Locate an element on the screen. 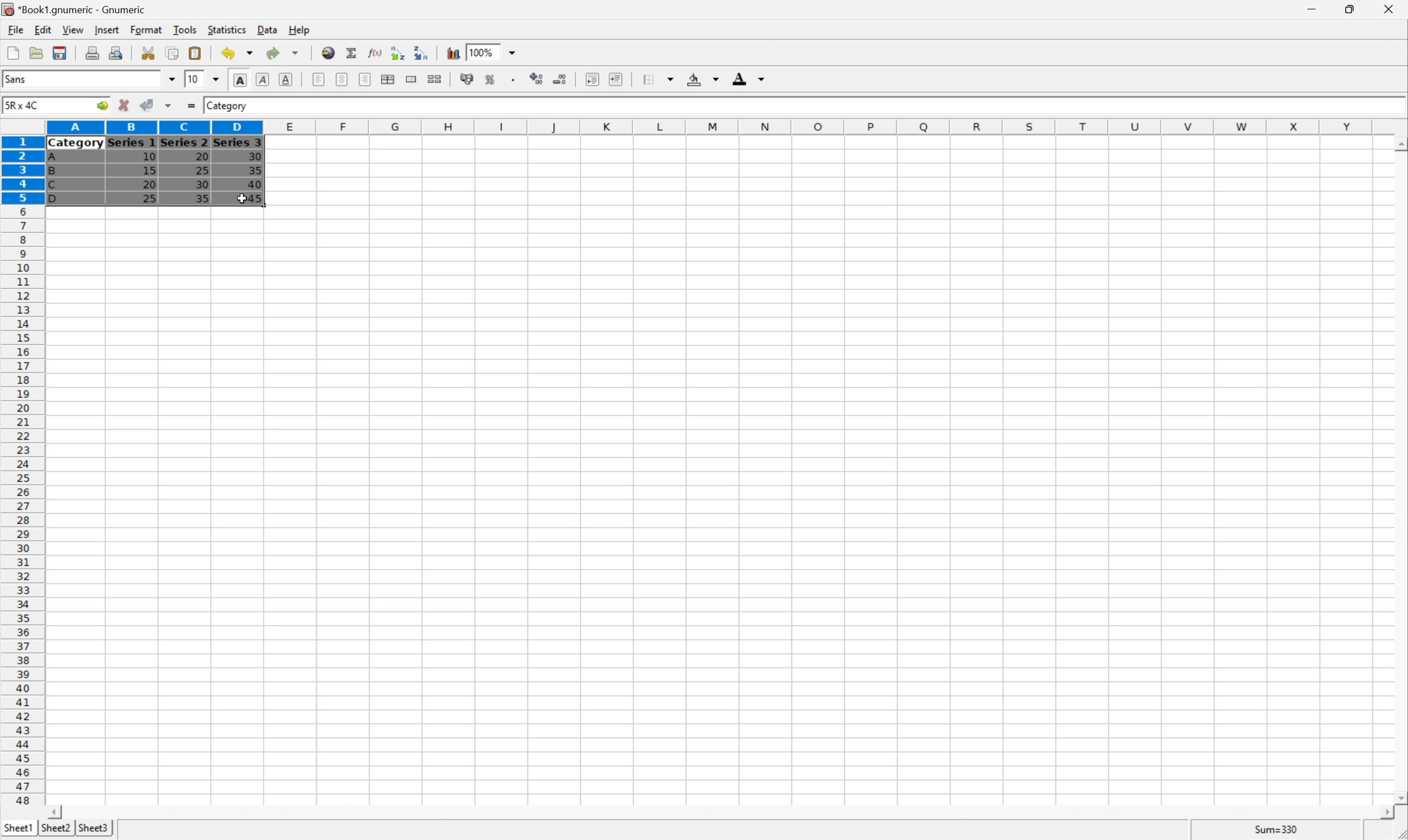 This screenshot has height=840, width=1408. 35 is located at coordinates (202, 198).